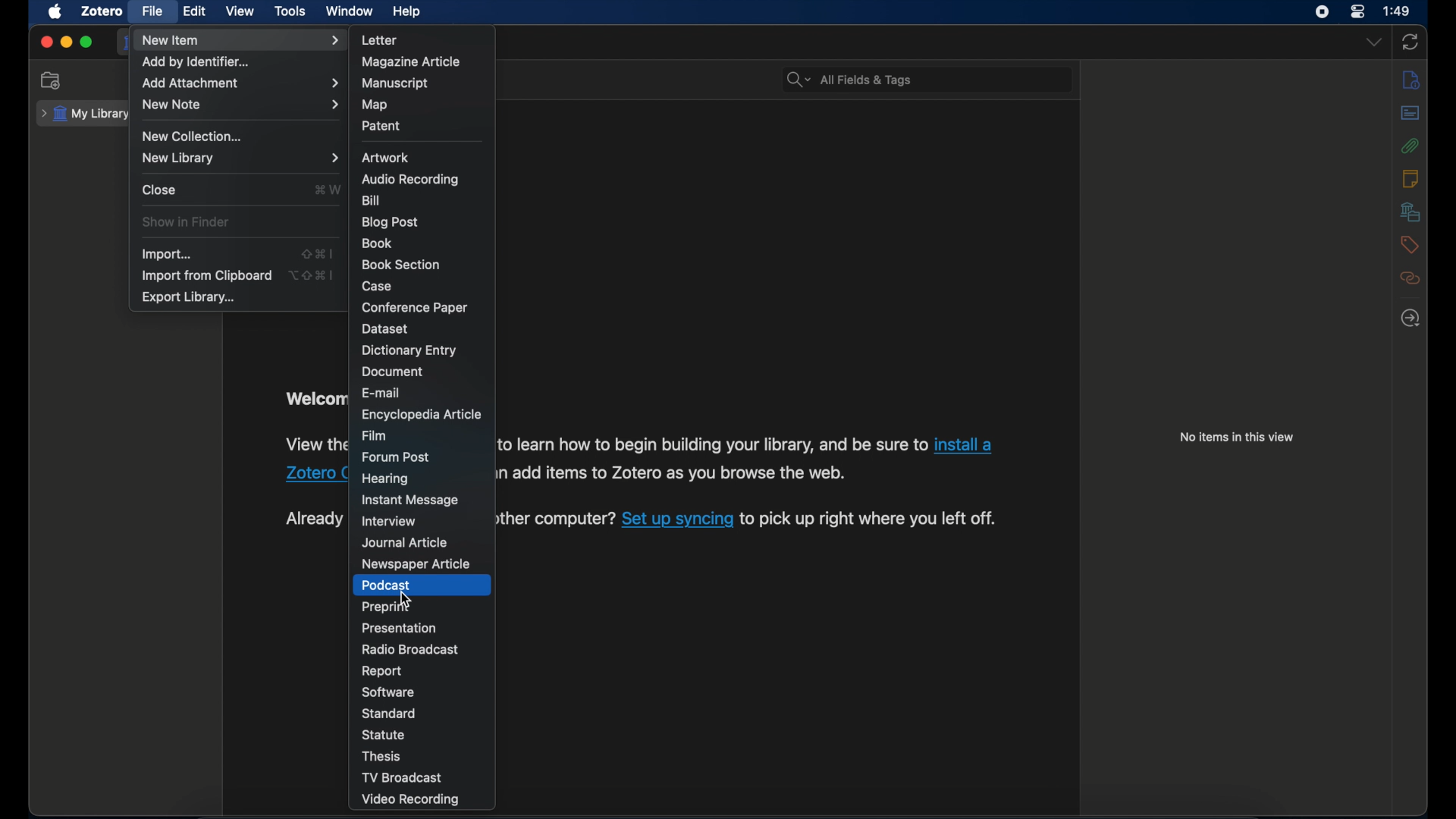  What do you see at coordinates (385, 479) in the screenshot?
I see `hearing` at bounding box center [385, 479].